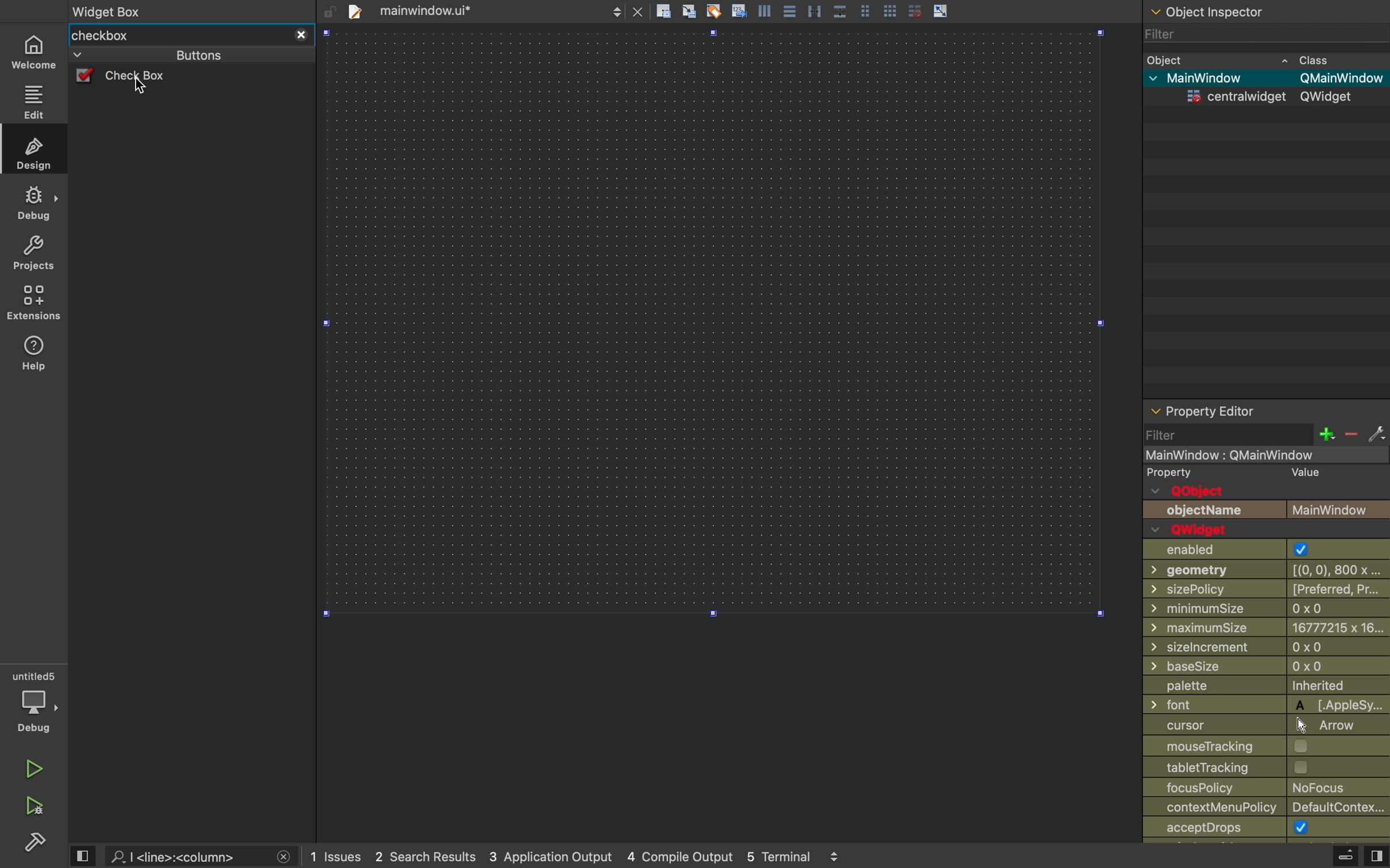 This screenshot has height=868, width=1390. What do you see at coordinates (1257, 550) in the screenshot?
I see `enabled` at bounding box center [1257, 550].